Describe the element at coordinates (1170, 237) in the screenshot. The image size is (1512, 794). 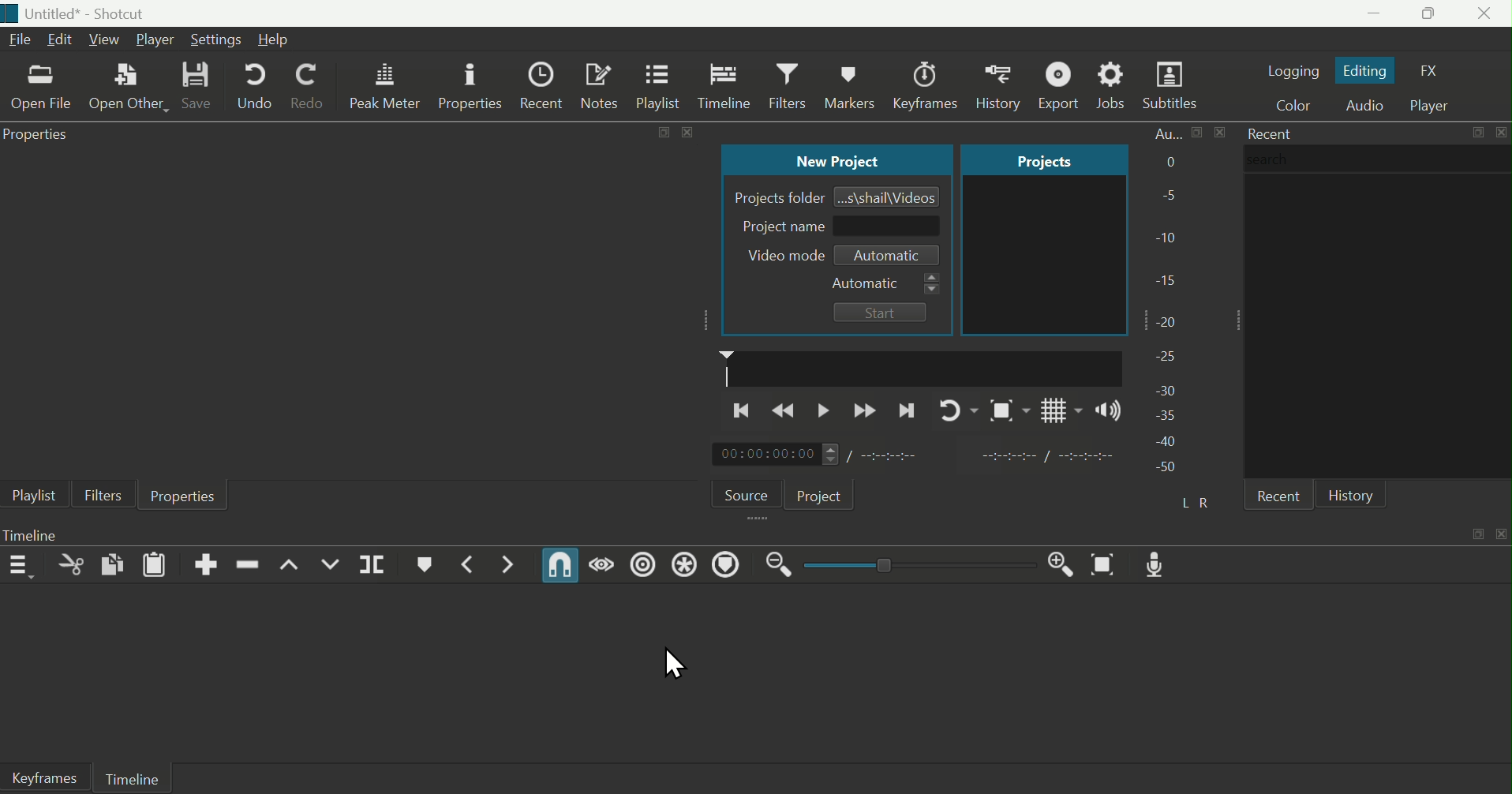
I see `-10` at that location.